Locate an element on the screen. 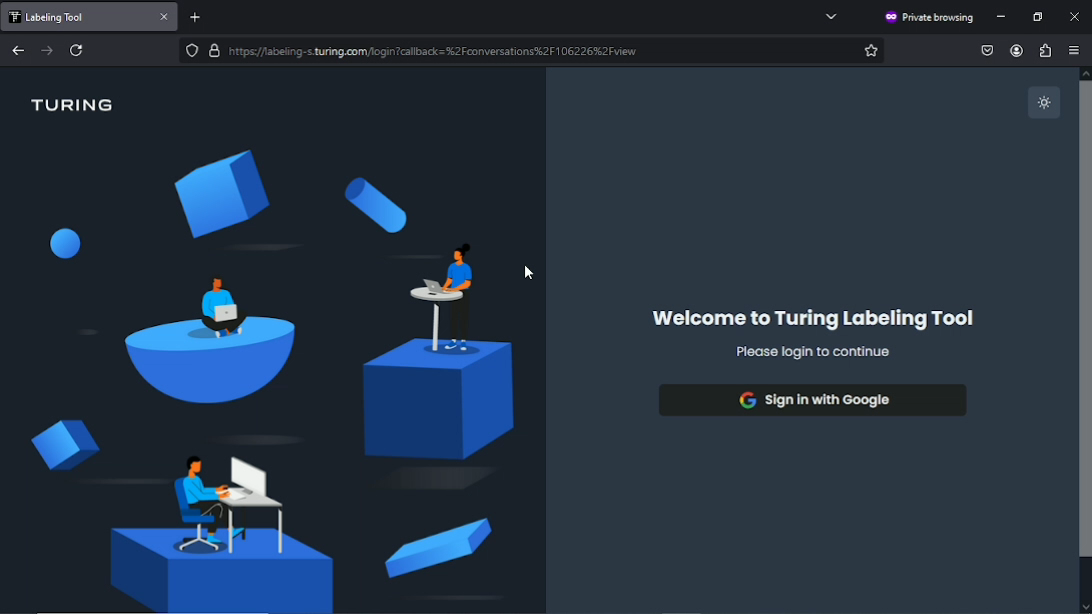  open application menu is located at coordinates (1074, 52).